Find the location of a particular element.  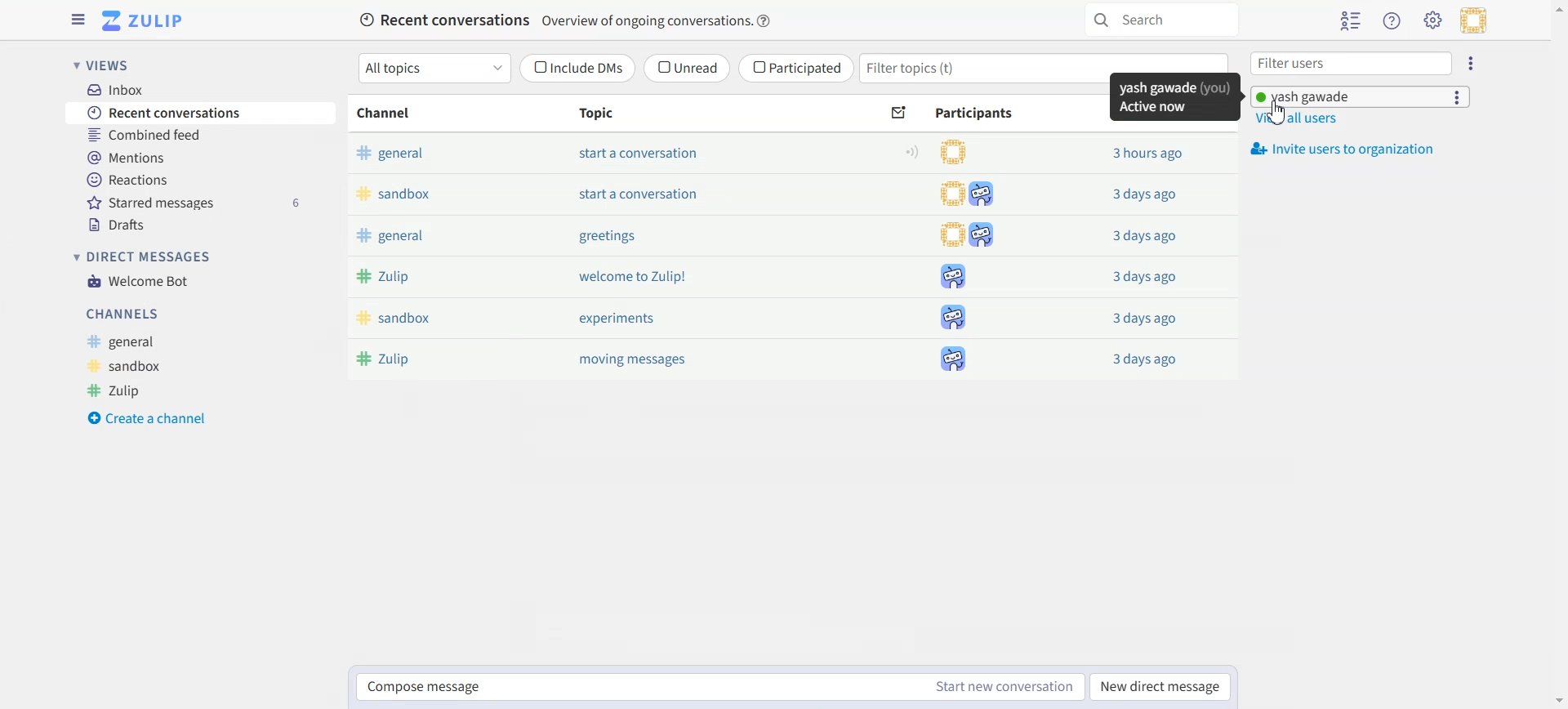

participants is located at coordinates (951, 360).